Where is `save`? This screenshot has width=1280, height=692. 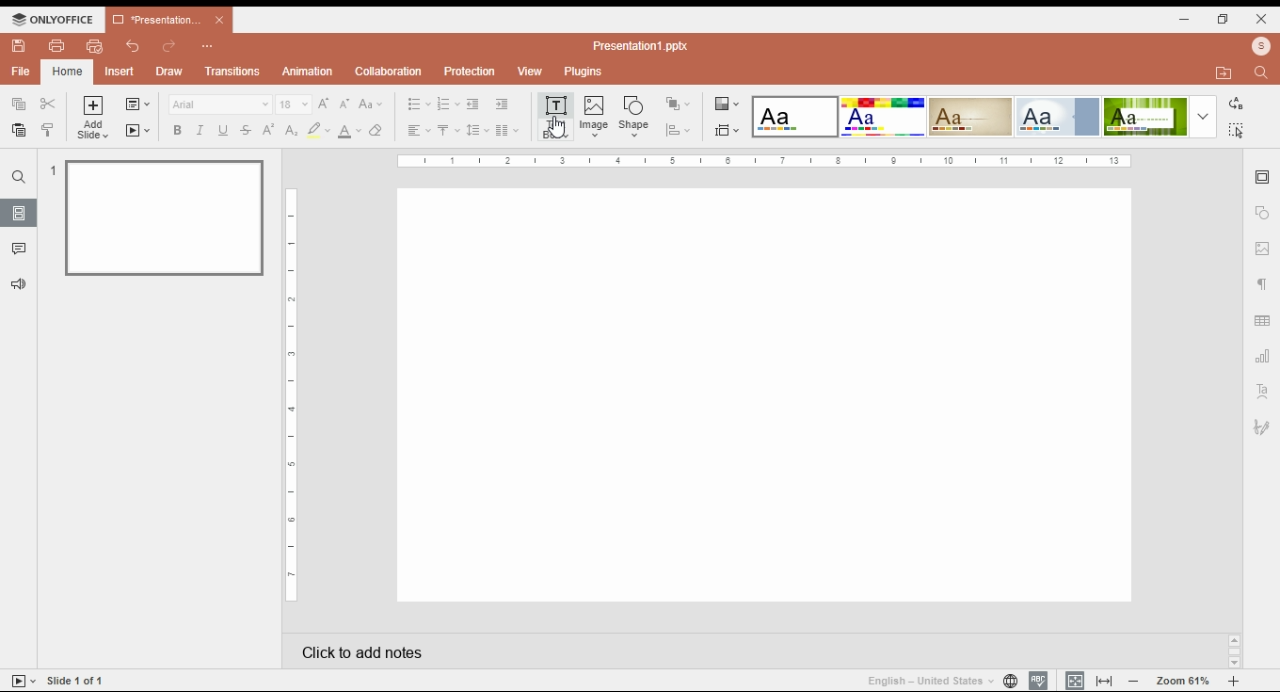 save is located at coordinates (20, 46).